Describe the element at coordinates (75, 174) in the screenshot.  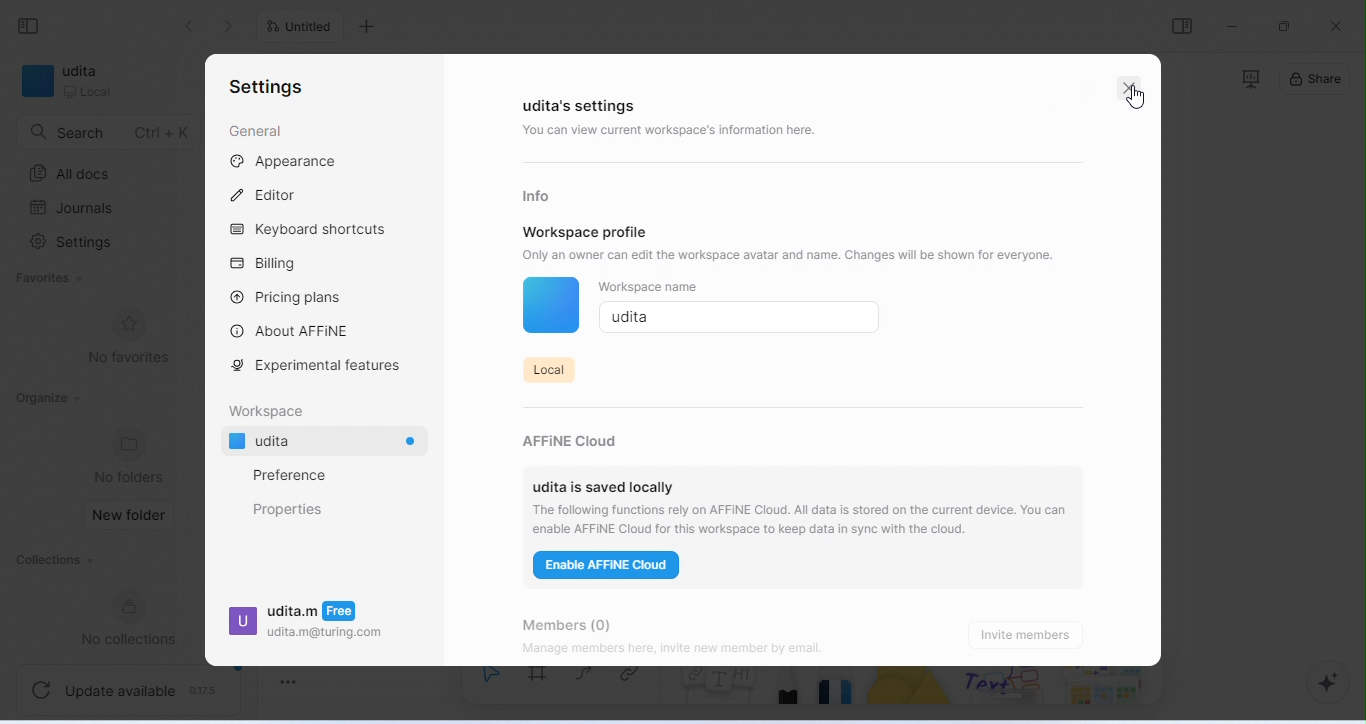
I see `all docs` at that location.